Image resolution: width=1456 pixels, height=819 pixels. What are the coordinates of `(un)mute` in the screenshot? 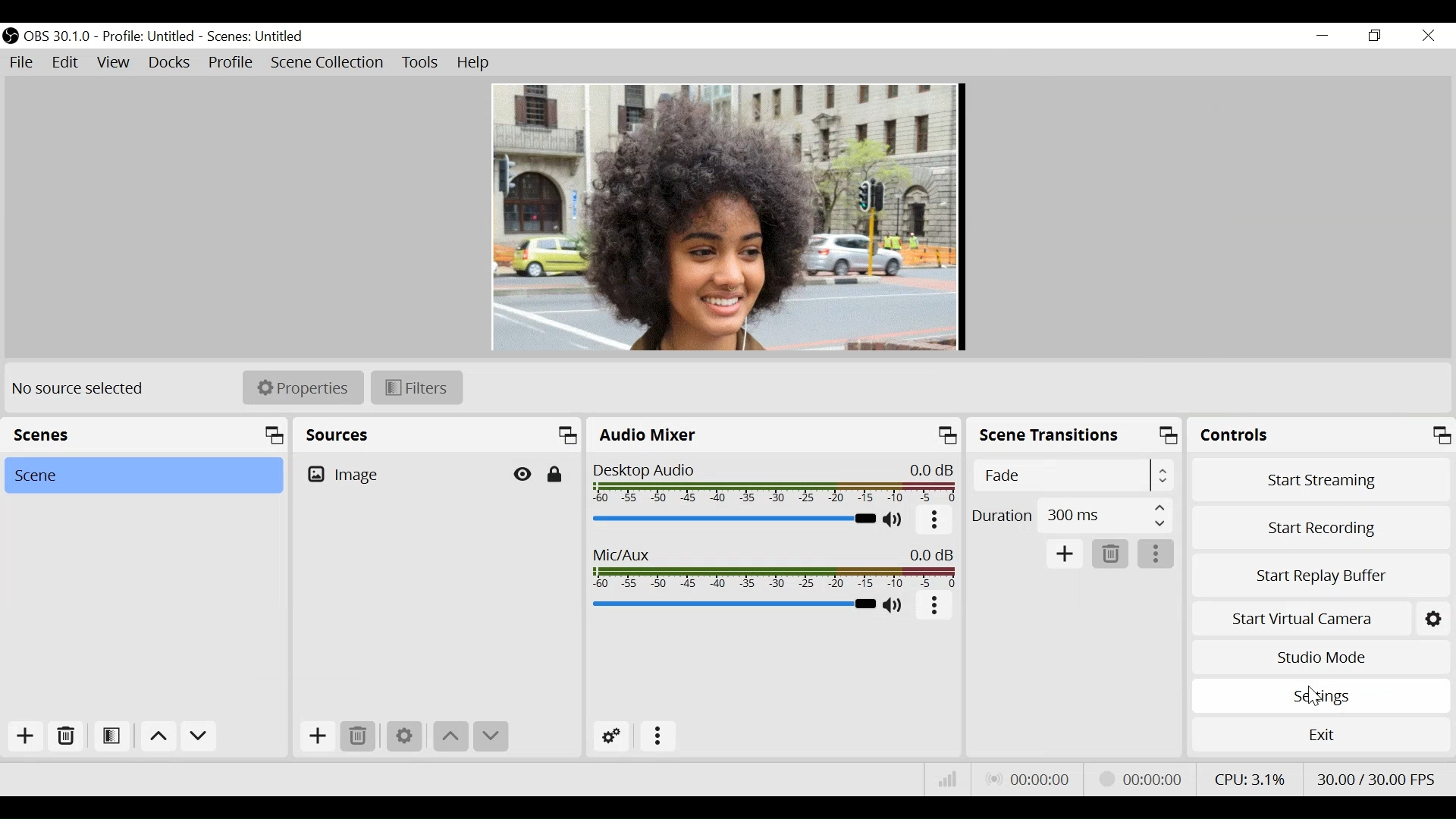 It's located at (897, 519).